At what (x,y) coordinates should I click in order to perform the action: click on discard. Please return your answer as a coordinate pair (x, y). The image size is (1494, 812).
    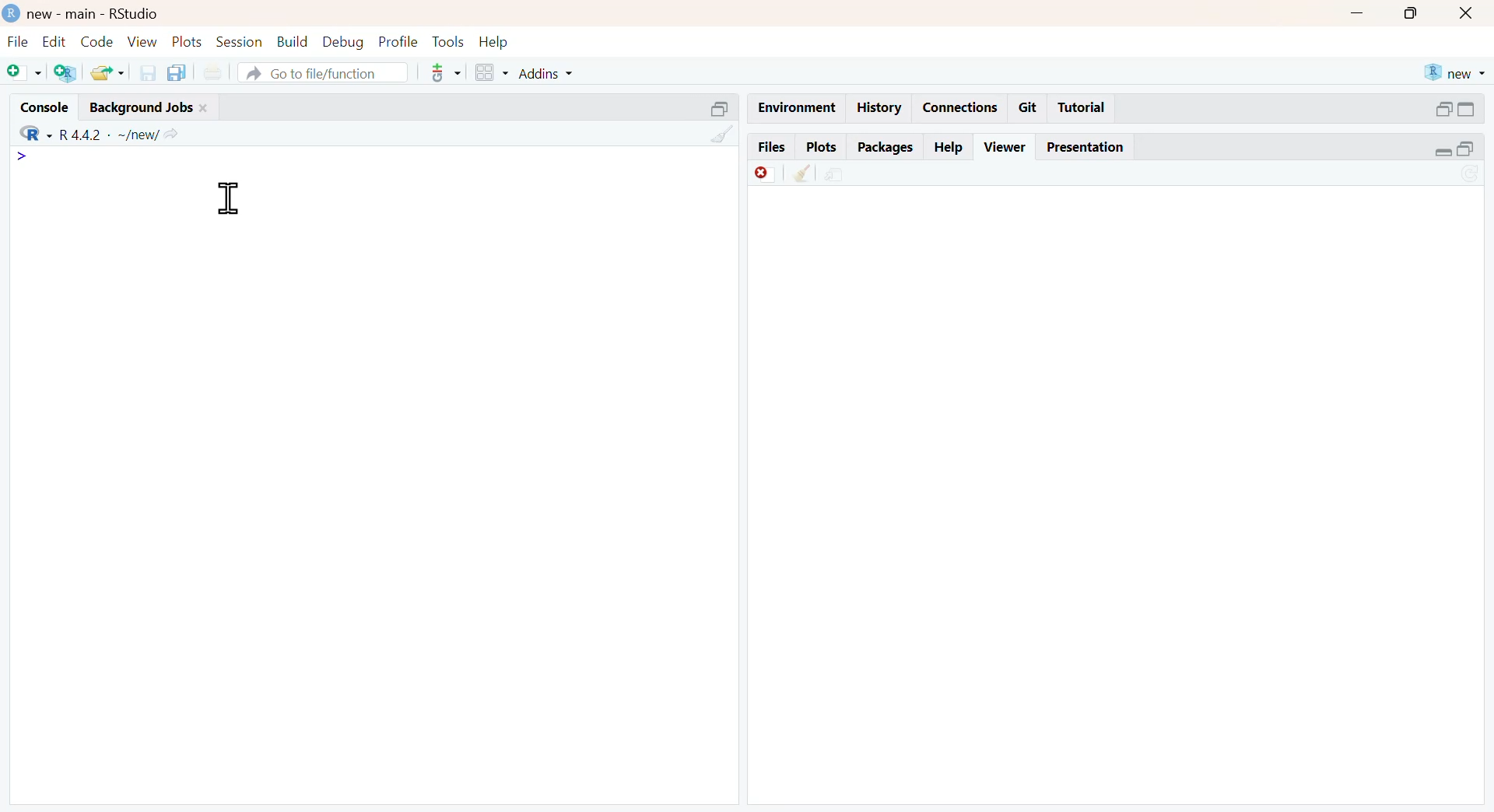
    Looking at the image, I should click on (766, 174).